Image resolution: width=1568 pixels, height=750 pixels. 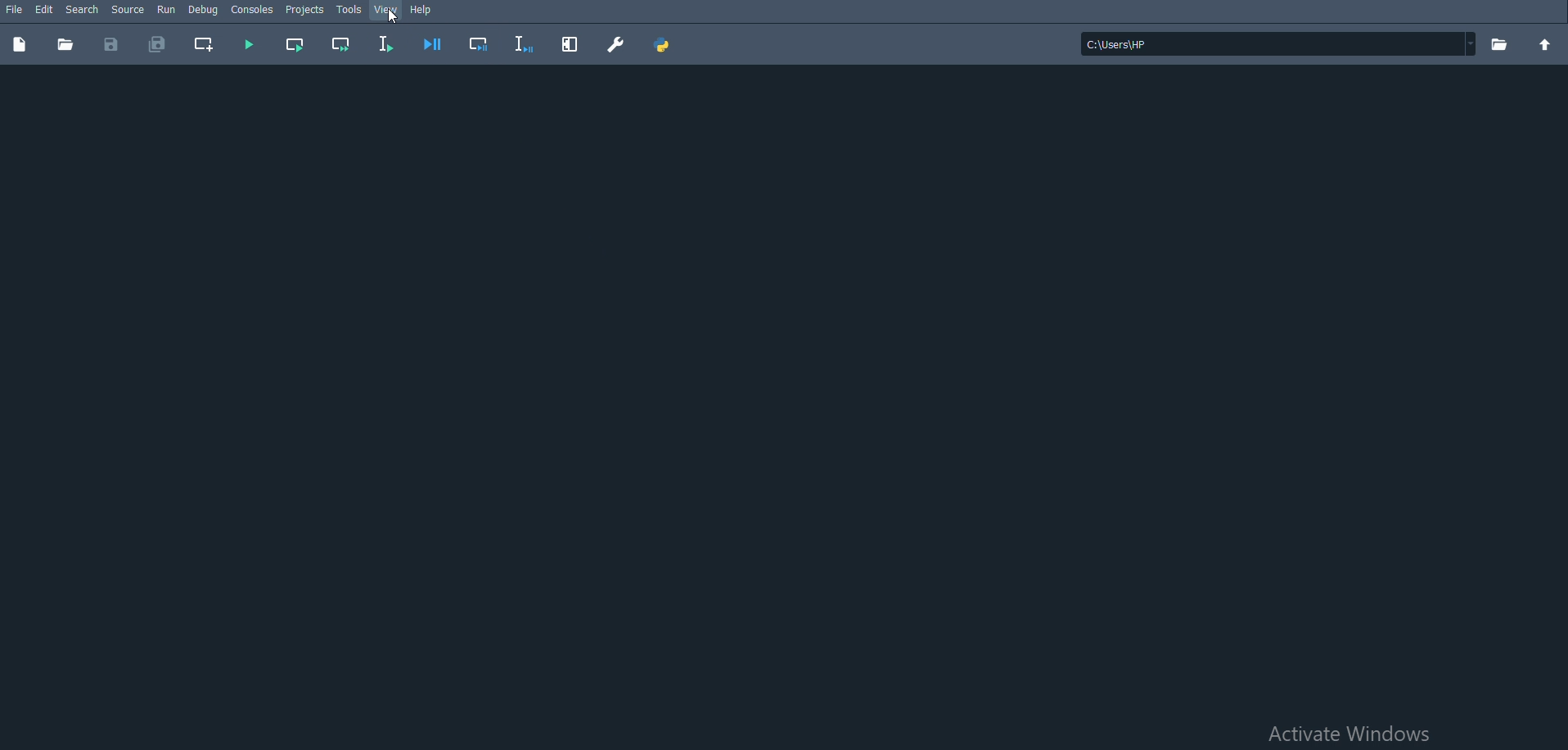 What do you see at coordinates (394, 18) in the screenshot?
I see `Cursor` at bounding box center [394, 18].